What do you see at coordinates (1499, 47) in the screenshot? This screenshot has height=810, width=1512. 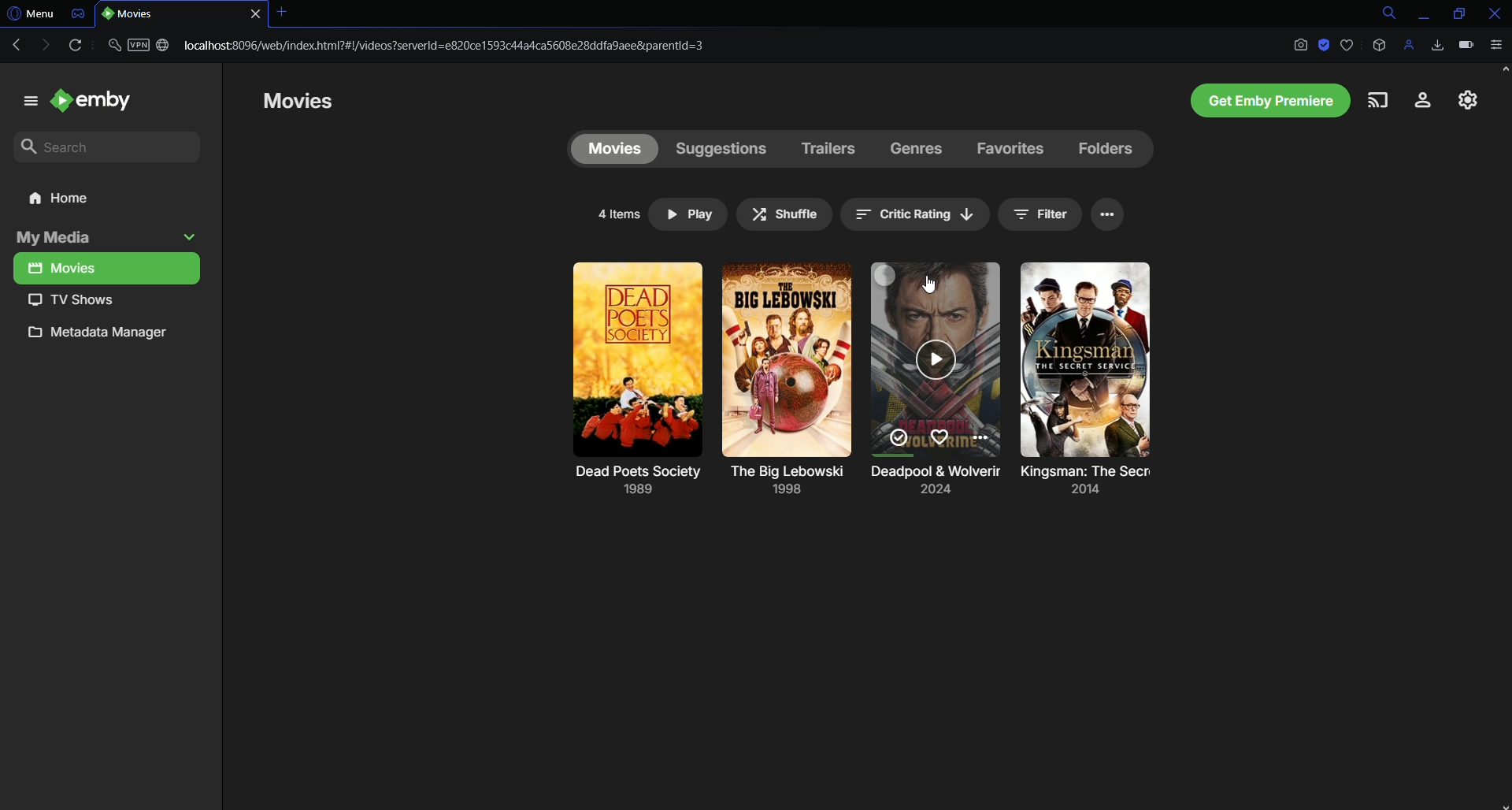 I see `Options` at bounding box center [1499, 47].